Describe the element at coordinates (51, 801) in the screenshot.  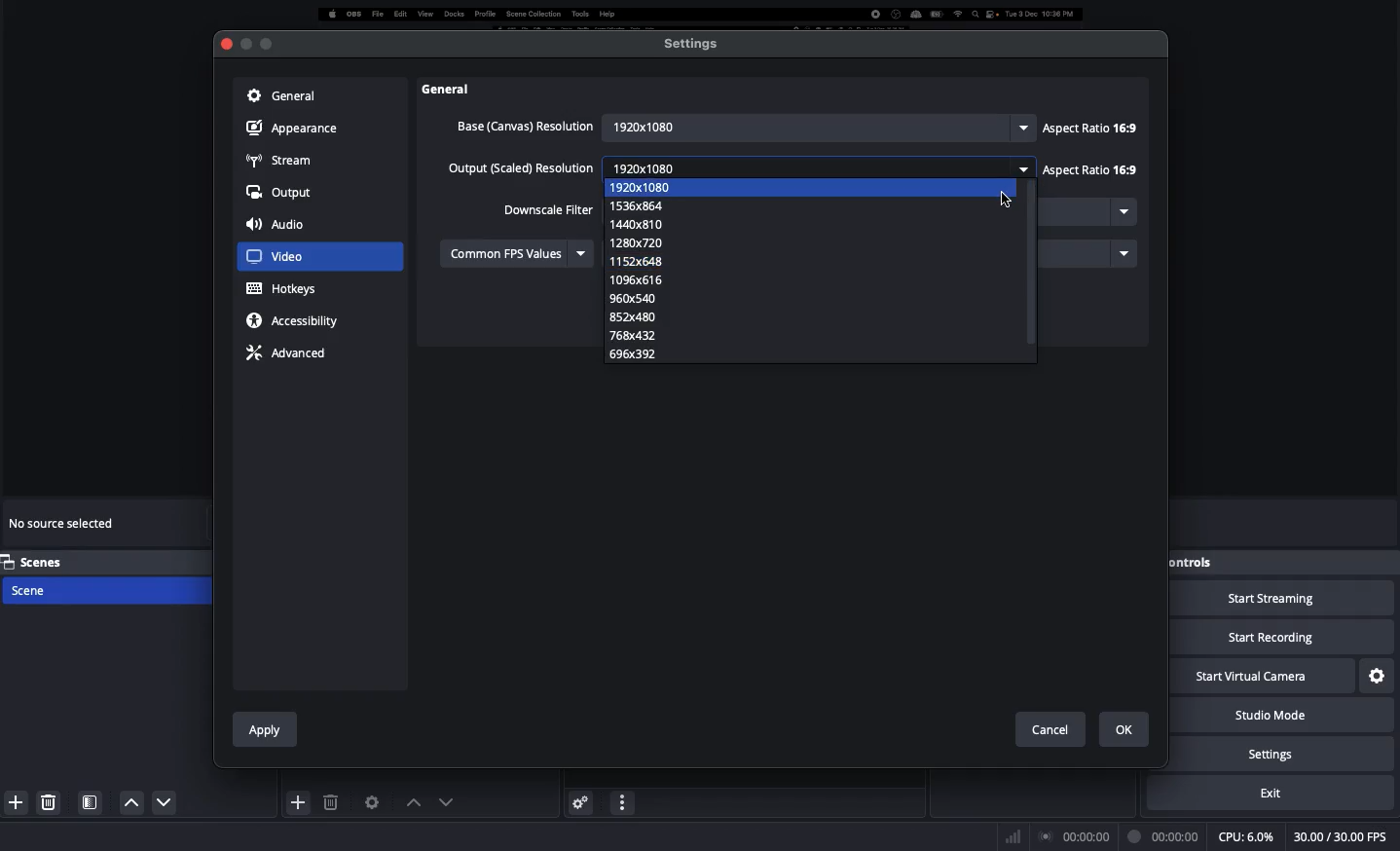
I see `Delete` at that location.